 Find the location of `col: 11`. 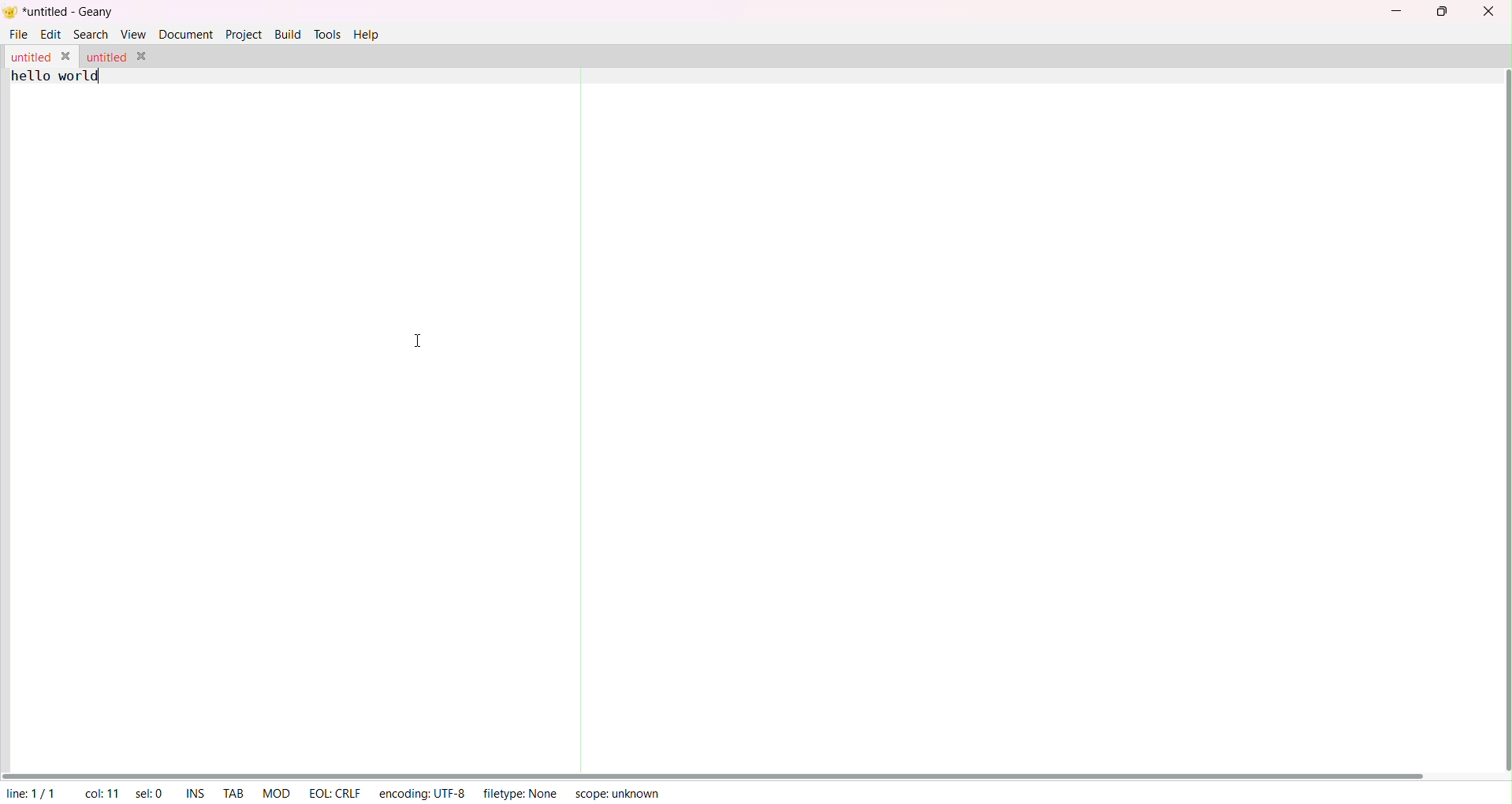

col: 11 is located at coordinates (103, 793).